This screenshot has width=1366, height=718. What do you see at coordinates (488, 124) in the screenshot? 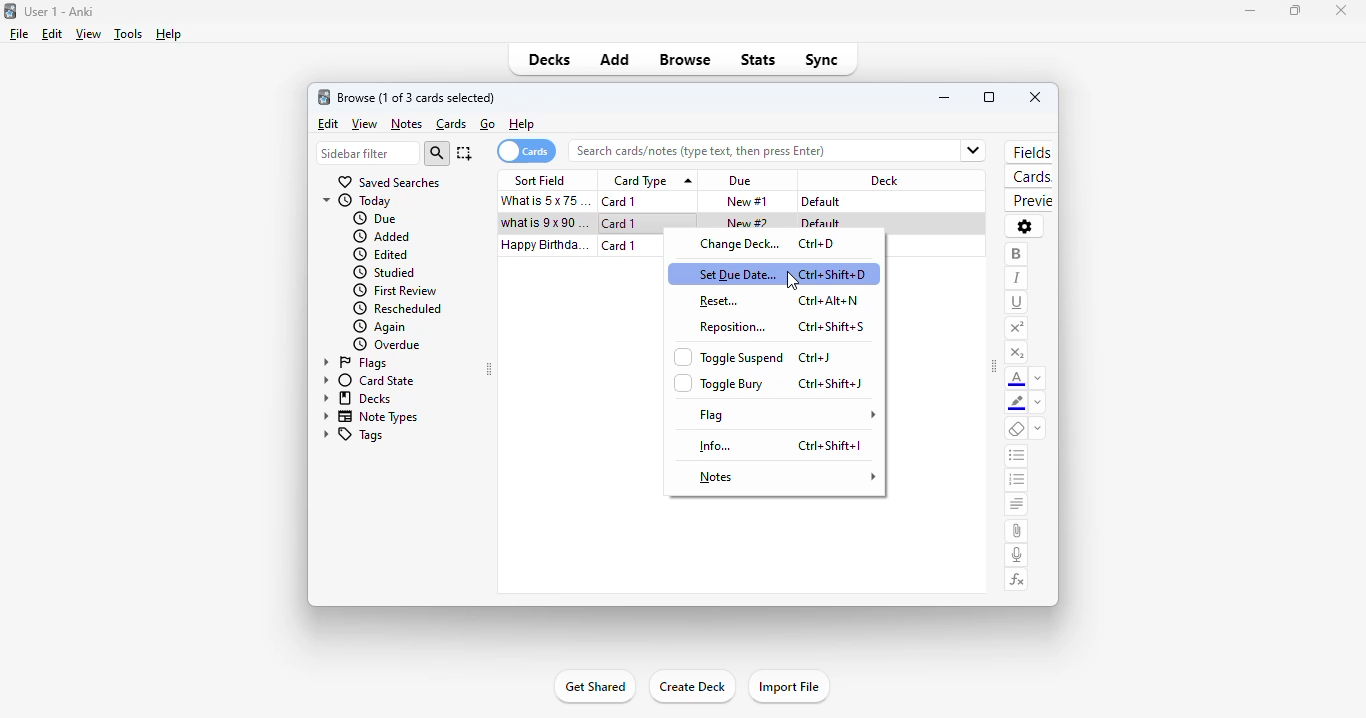
I see `go` at bounding box center [488, 124].